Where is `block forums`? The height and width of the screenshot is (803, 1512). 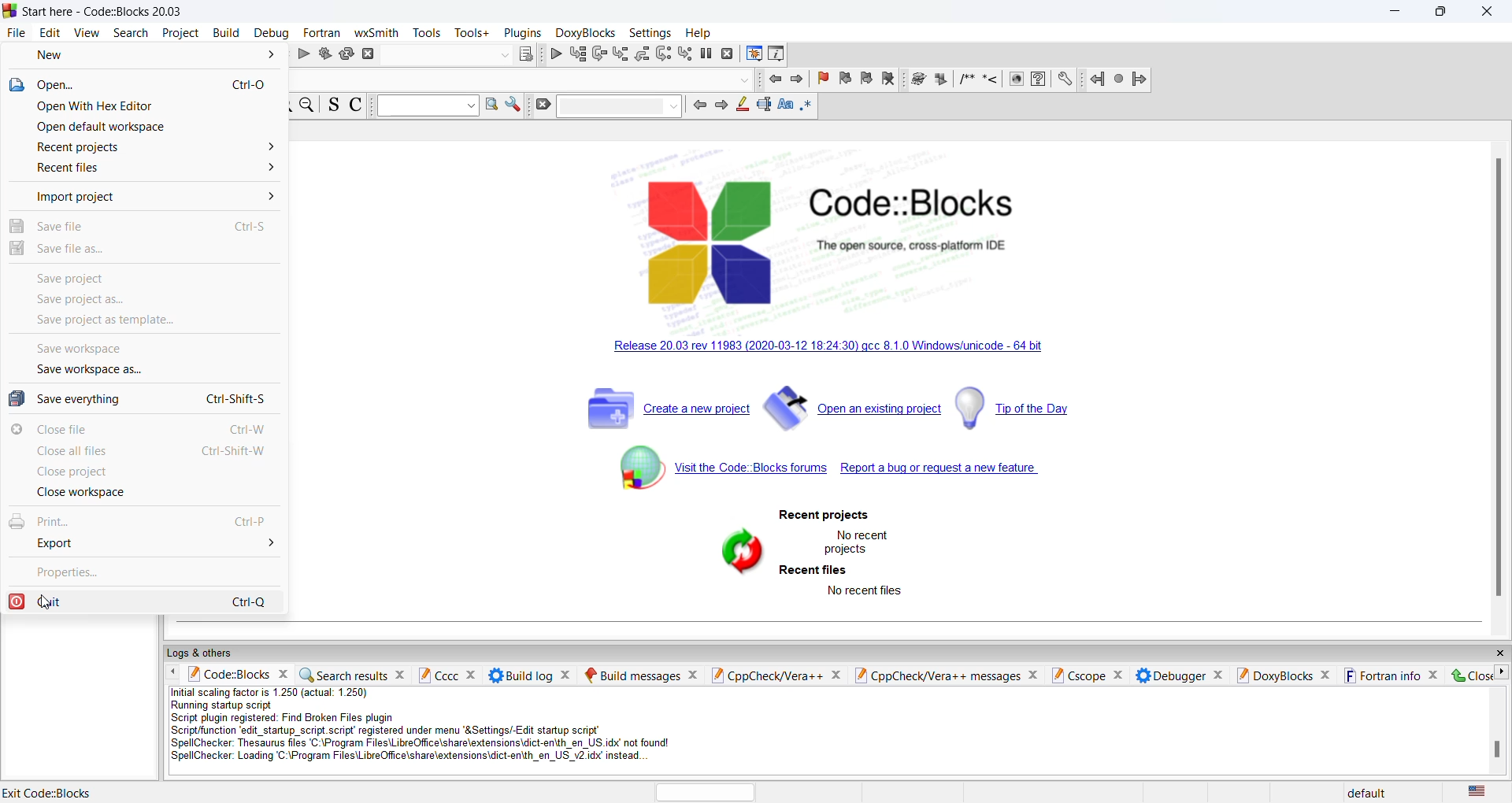
block forums is located at coordinates (708, 476).